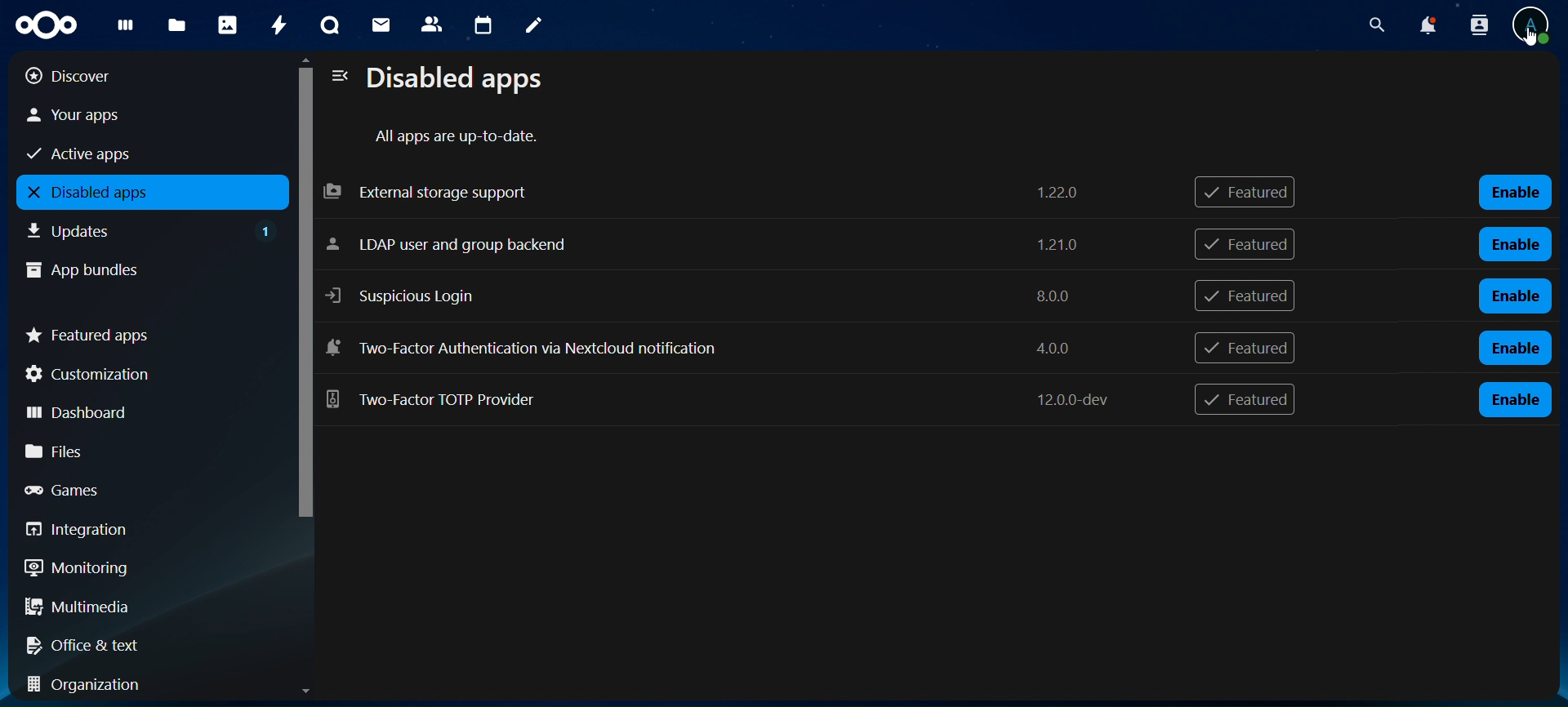 The width and height of the screenshot is (1568, 707). Describe the element at coordinates (1244, 348) in the screenshot. I see `featured` at that location.